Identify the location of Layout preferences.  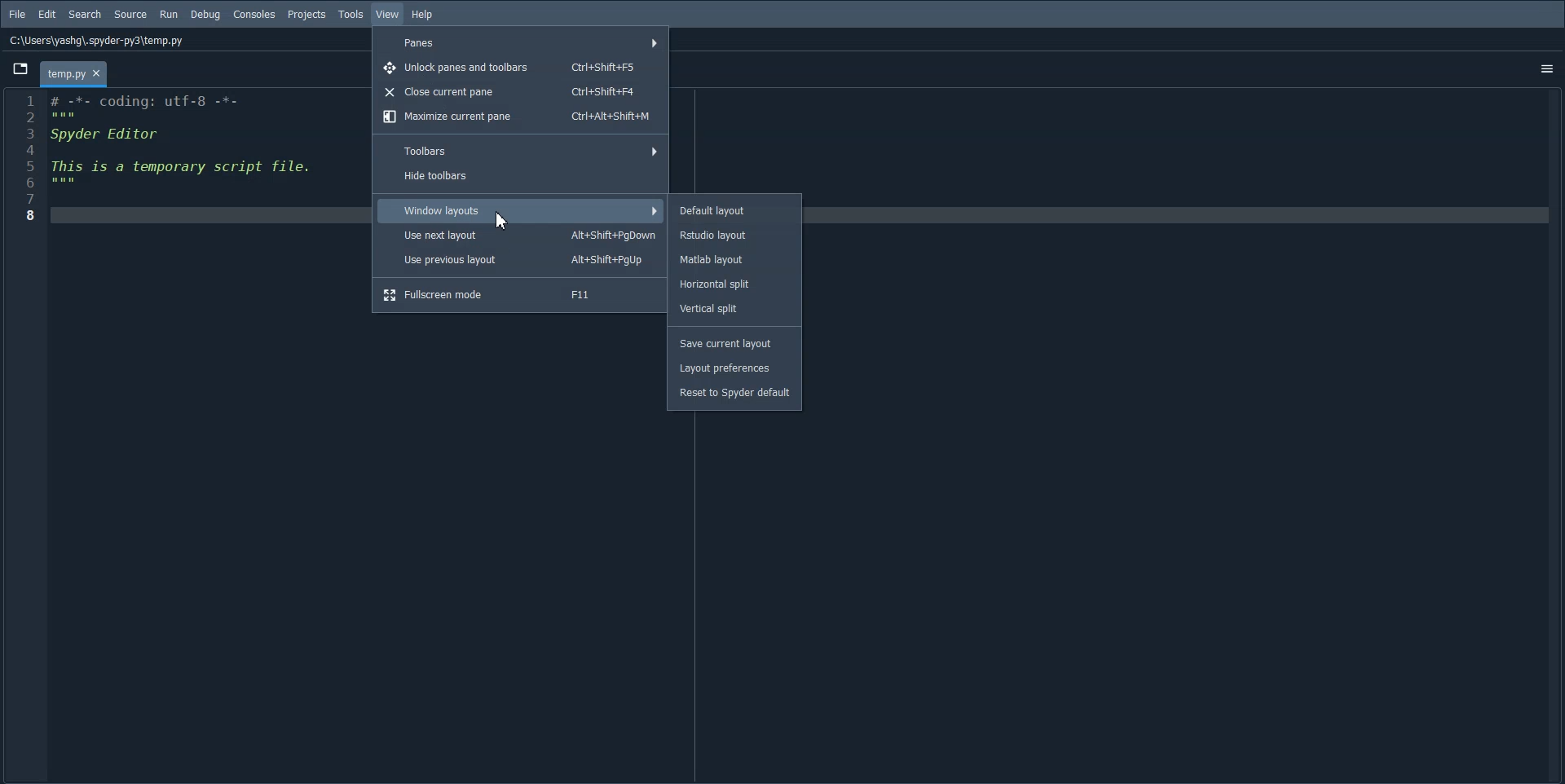
(732, 368).